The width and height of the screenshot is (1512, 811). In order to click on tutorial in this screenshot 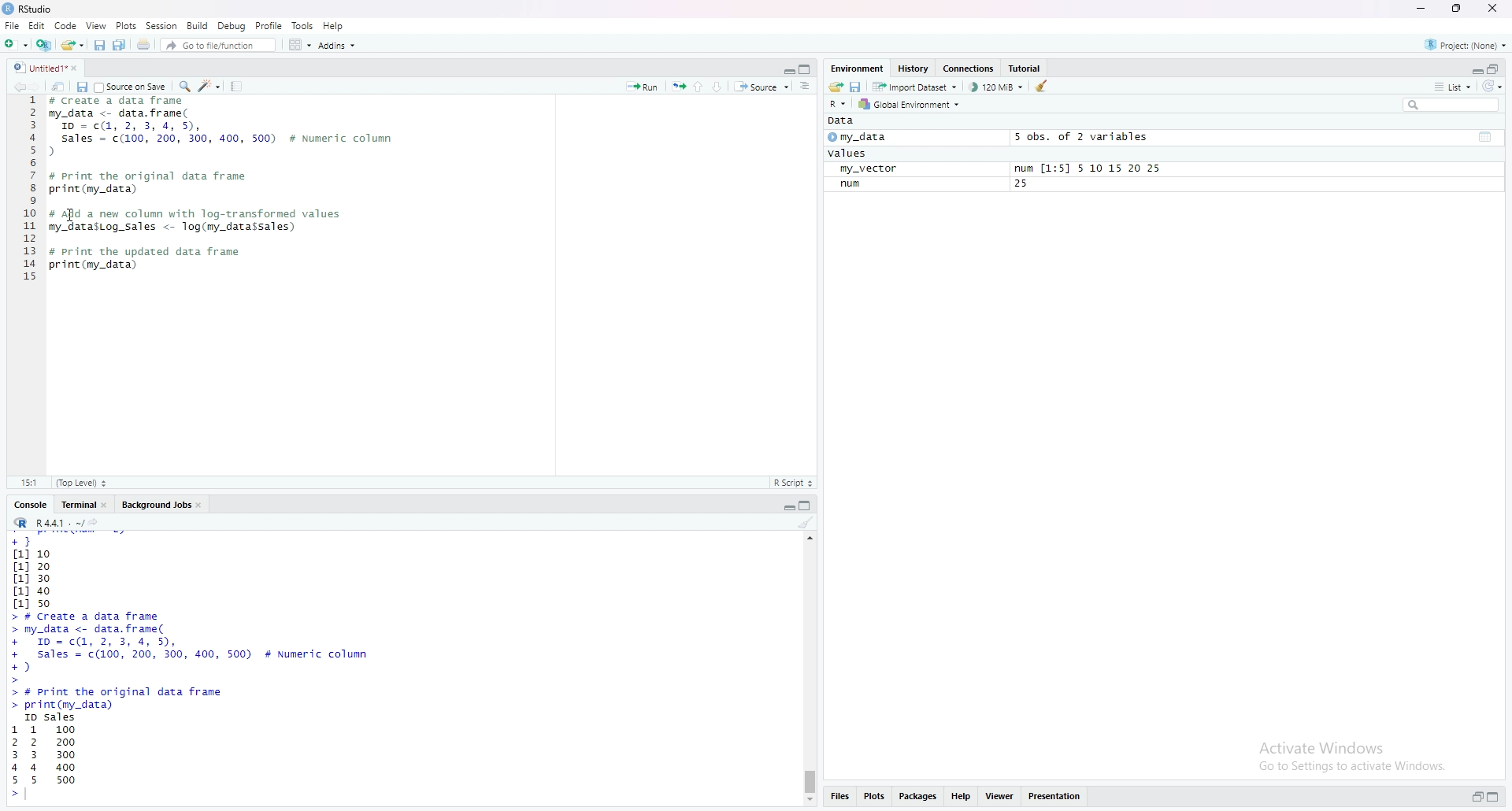, I will do `click(1025, 69)`.